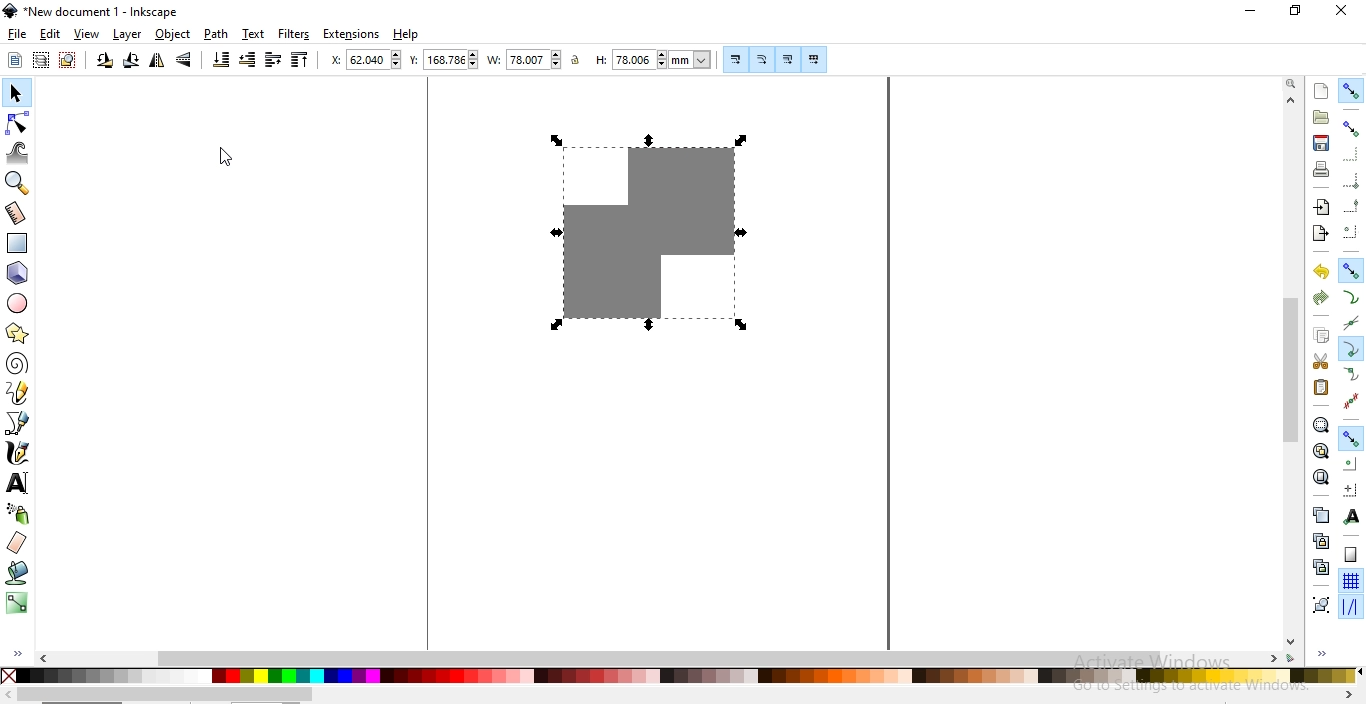 The height and width of the screenshot is (704, 1366). I want to click on group objects, so click(1320, 606).